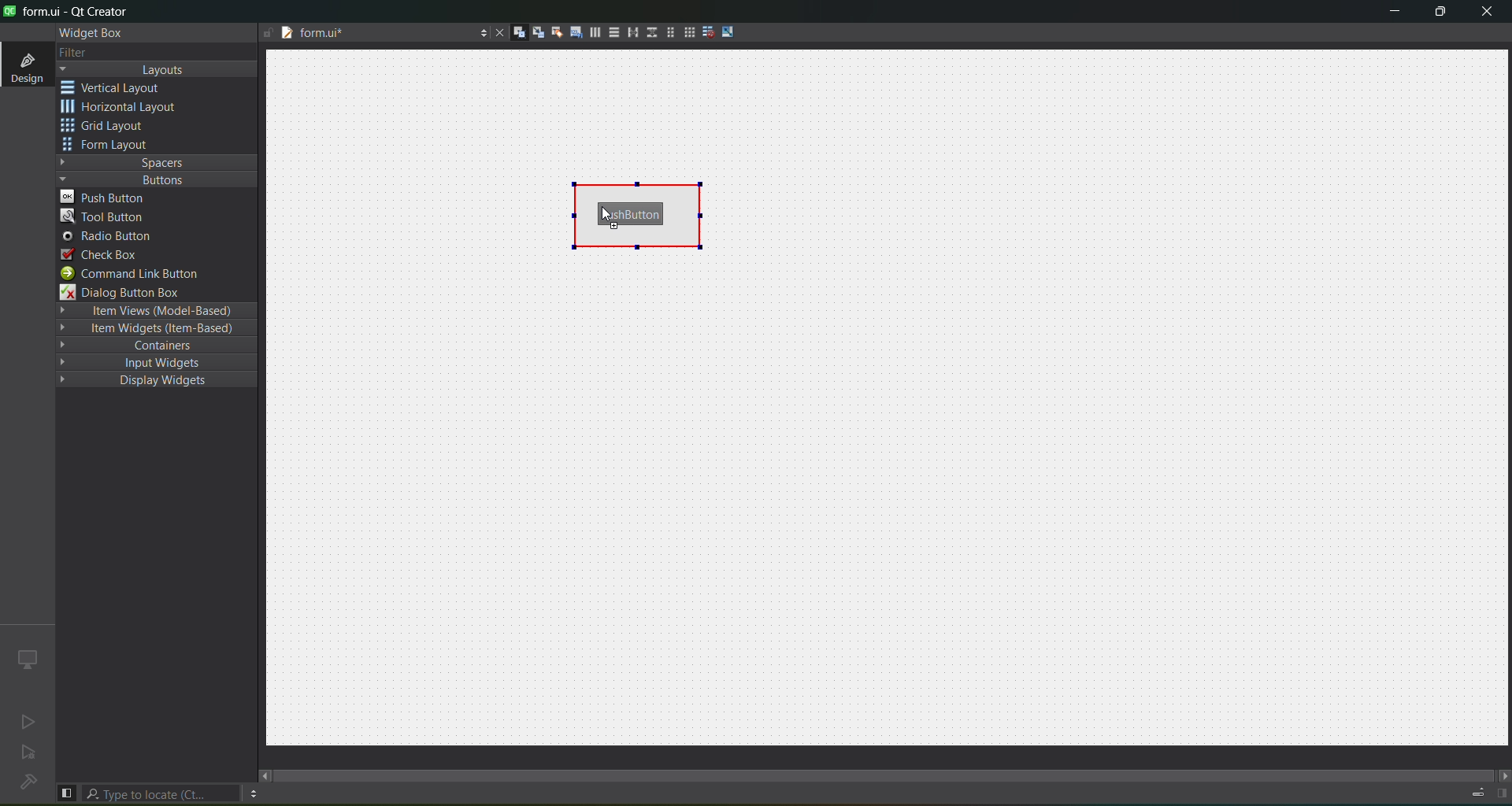 The width and height of the screenshot is (1512, 806). Describe the element at coordinates (101, 254) in the screenshot. I see `check box` at that location.